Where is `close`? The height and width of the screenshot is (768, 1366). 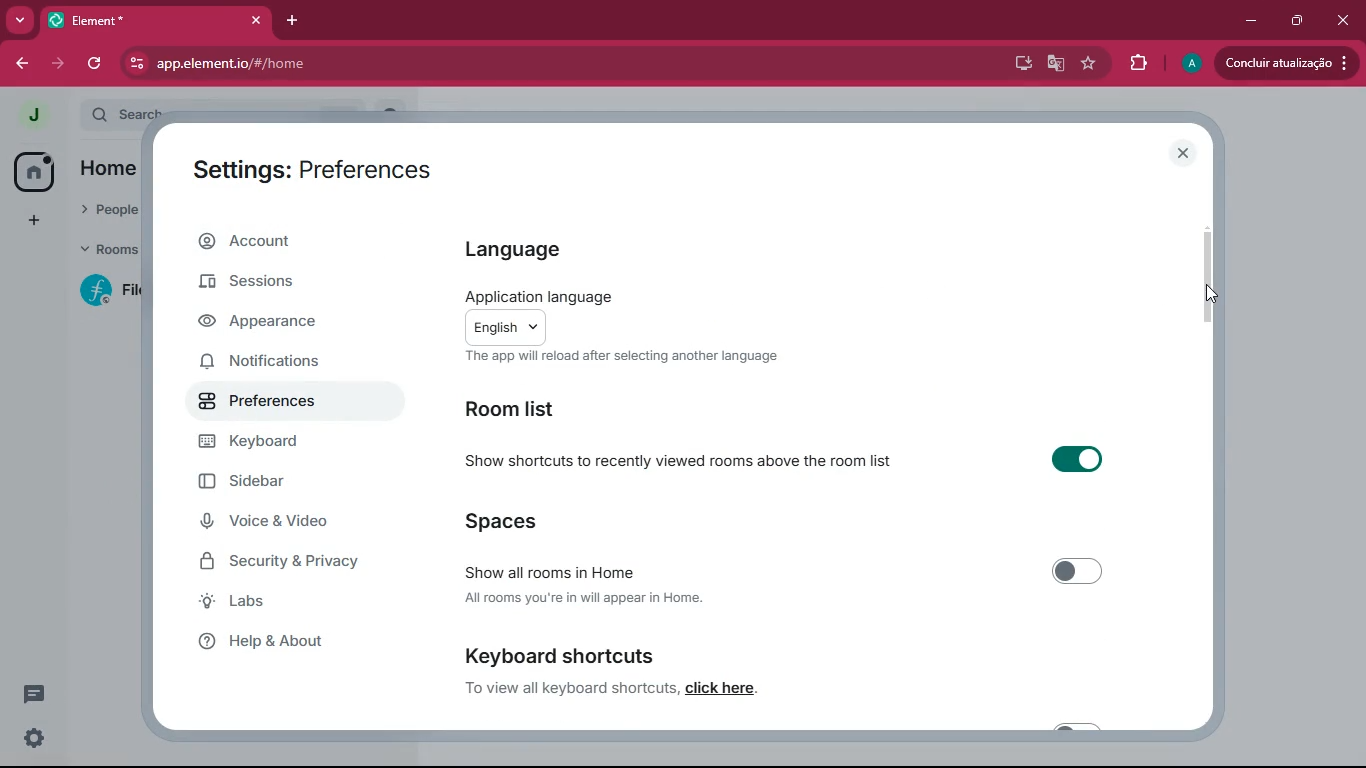 close is located at coordinates (1345, 18).